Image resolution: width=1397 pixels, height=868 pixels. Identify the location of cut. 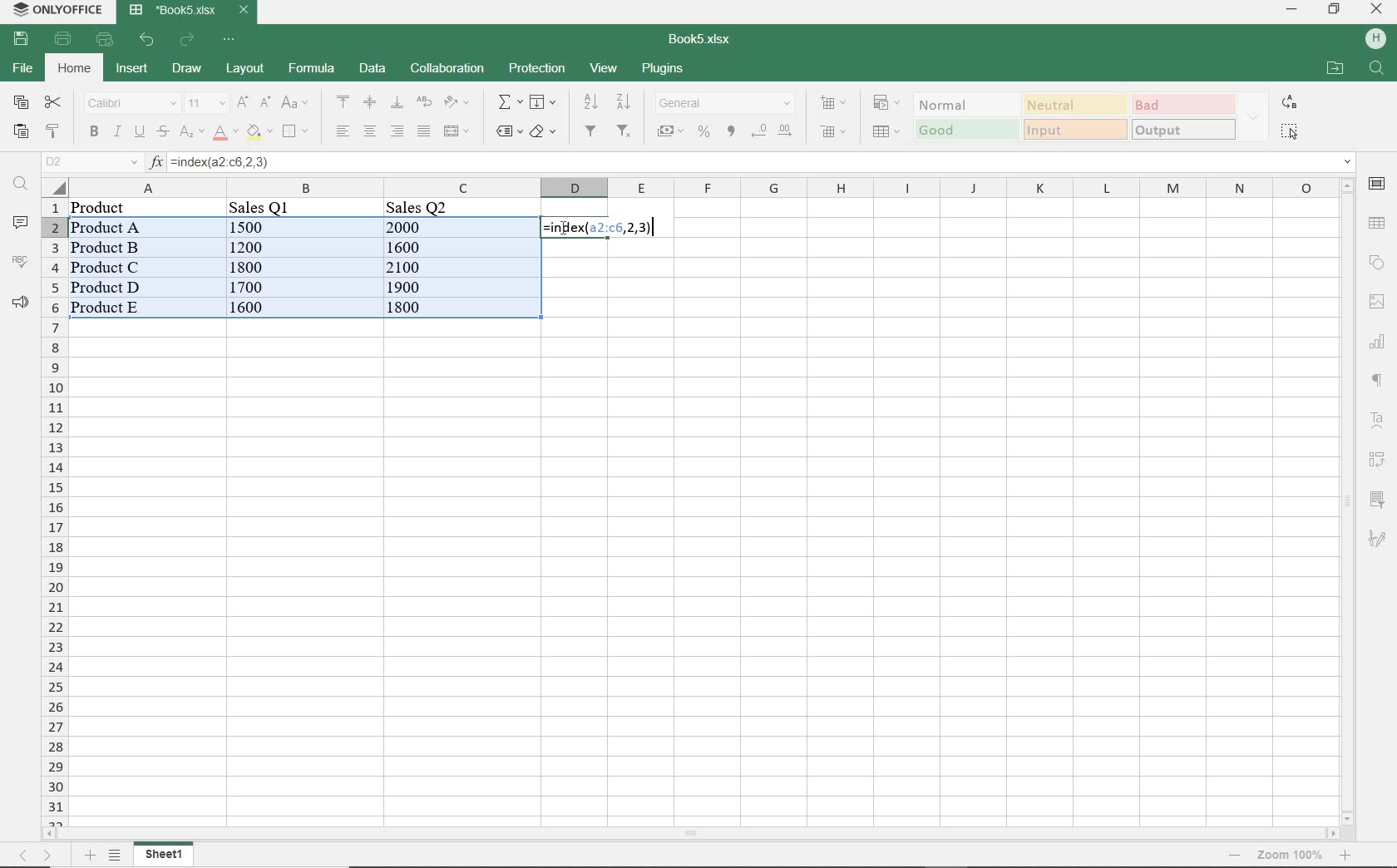
(54, 101).